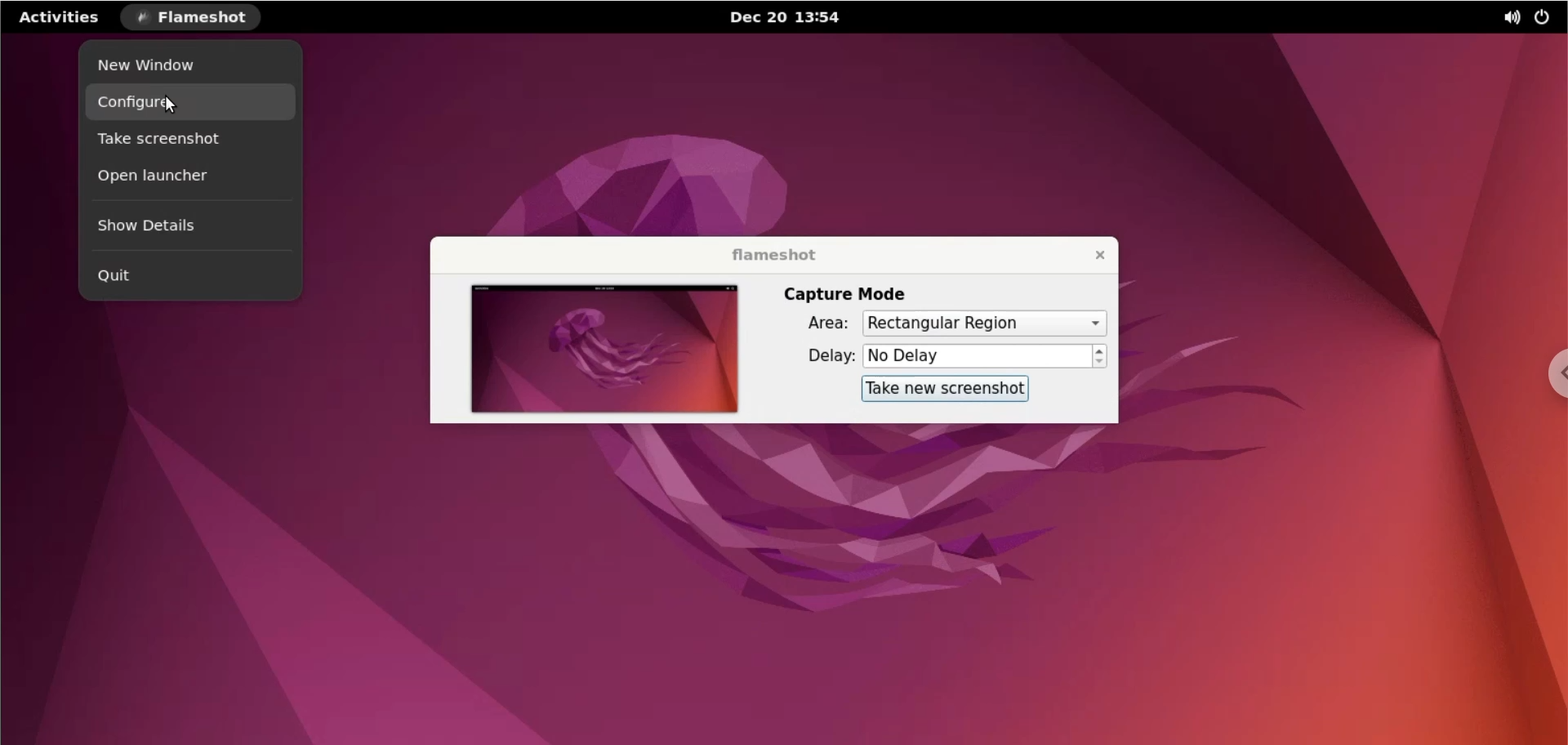  What do you see at coordinates (190, 142) in the screenshot?
I see `take screenshot` at bounding box center [190, 142].